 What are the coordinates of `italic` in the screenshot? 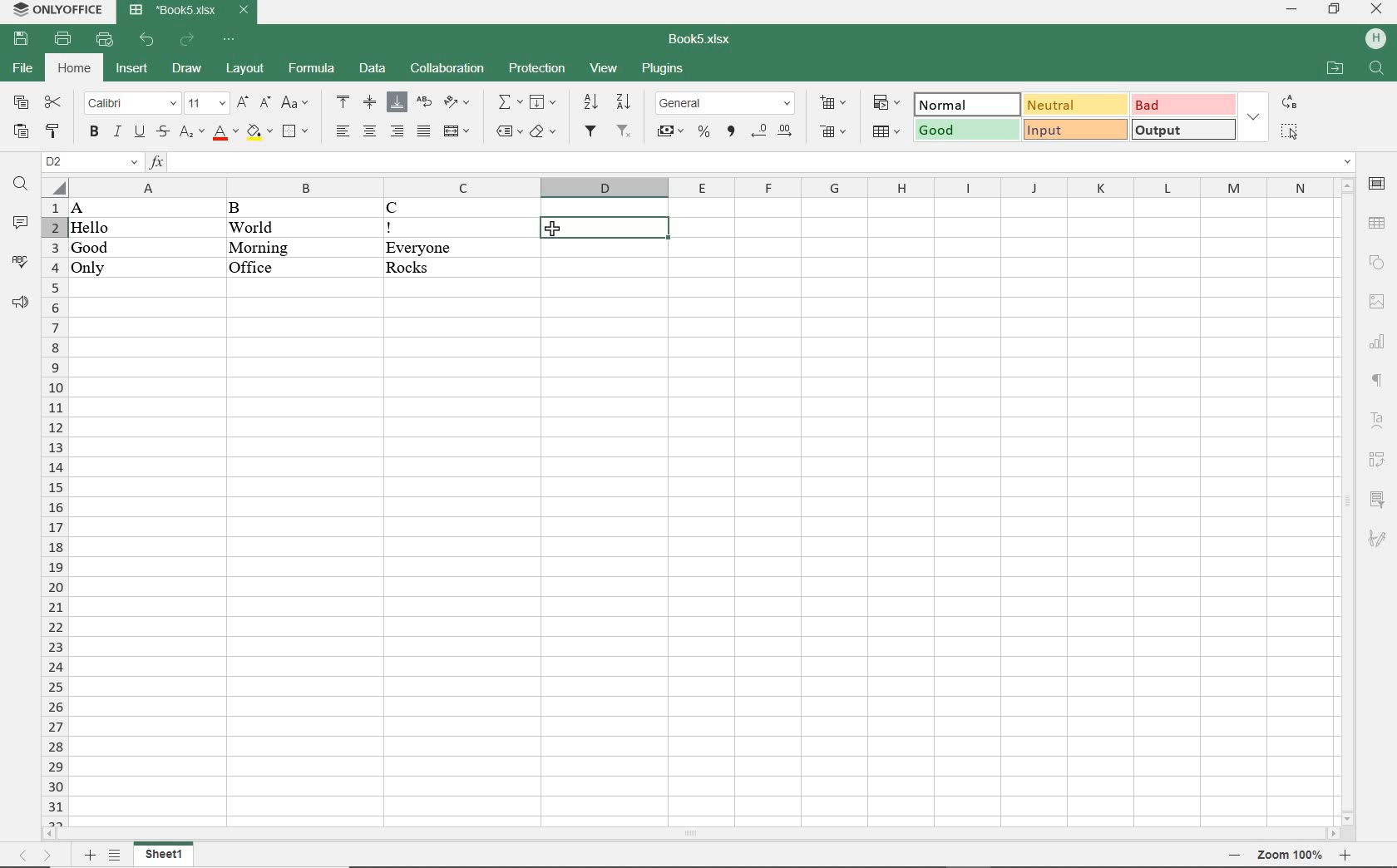 It's located at (117, 132).